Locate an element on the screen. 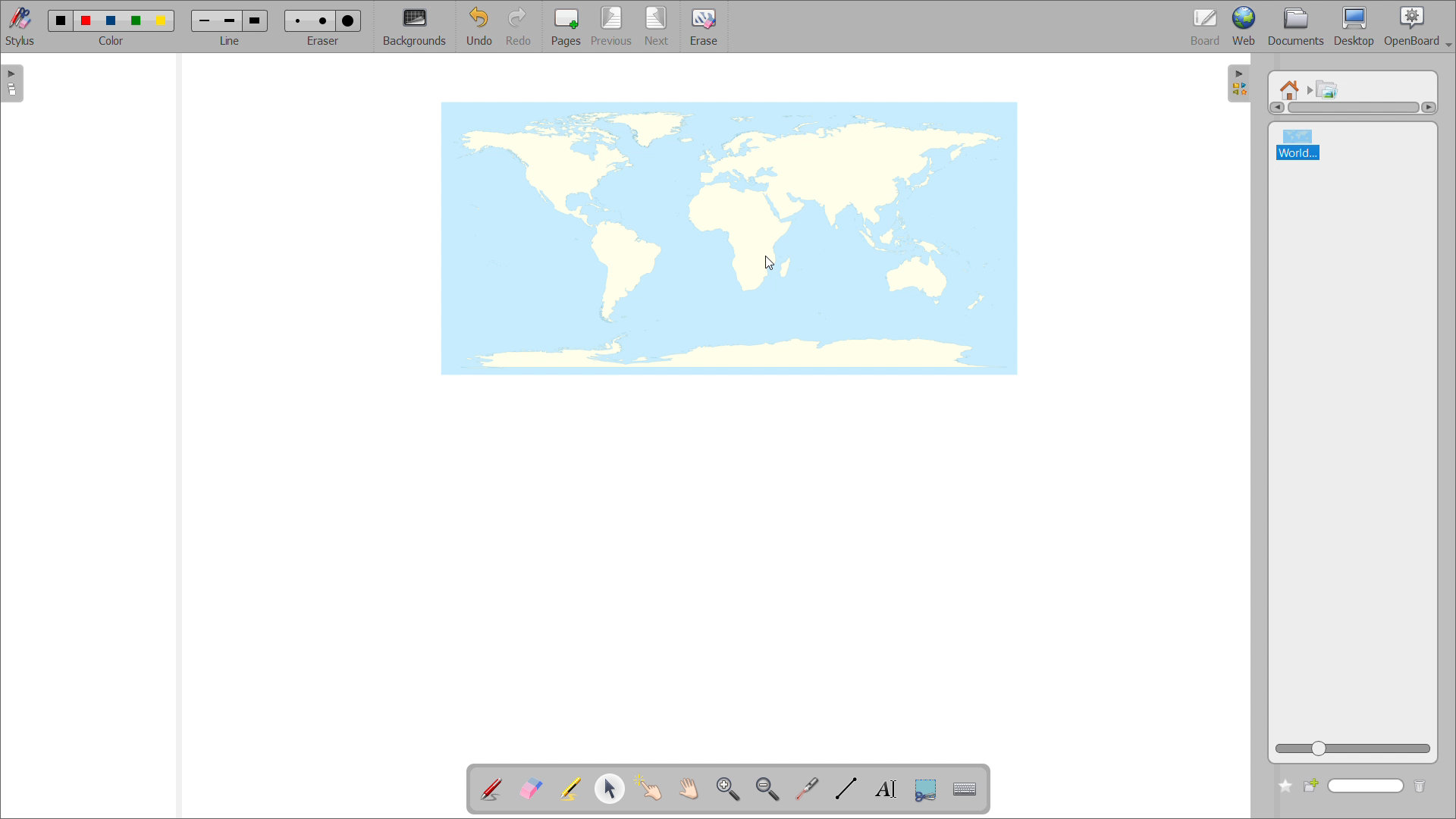  delete folder is located at coordinates (1422, 787).